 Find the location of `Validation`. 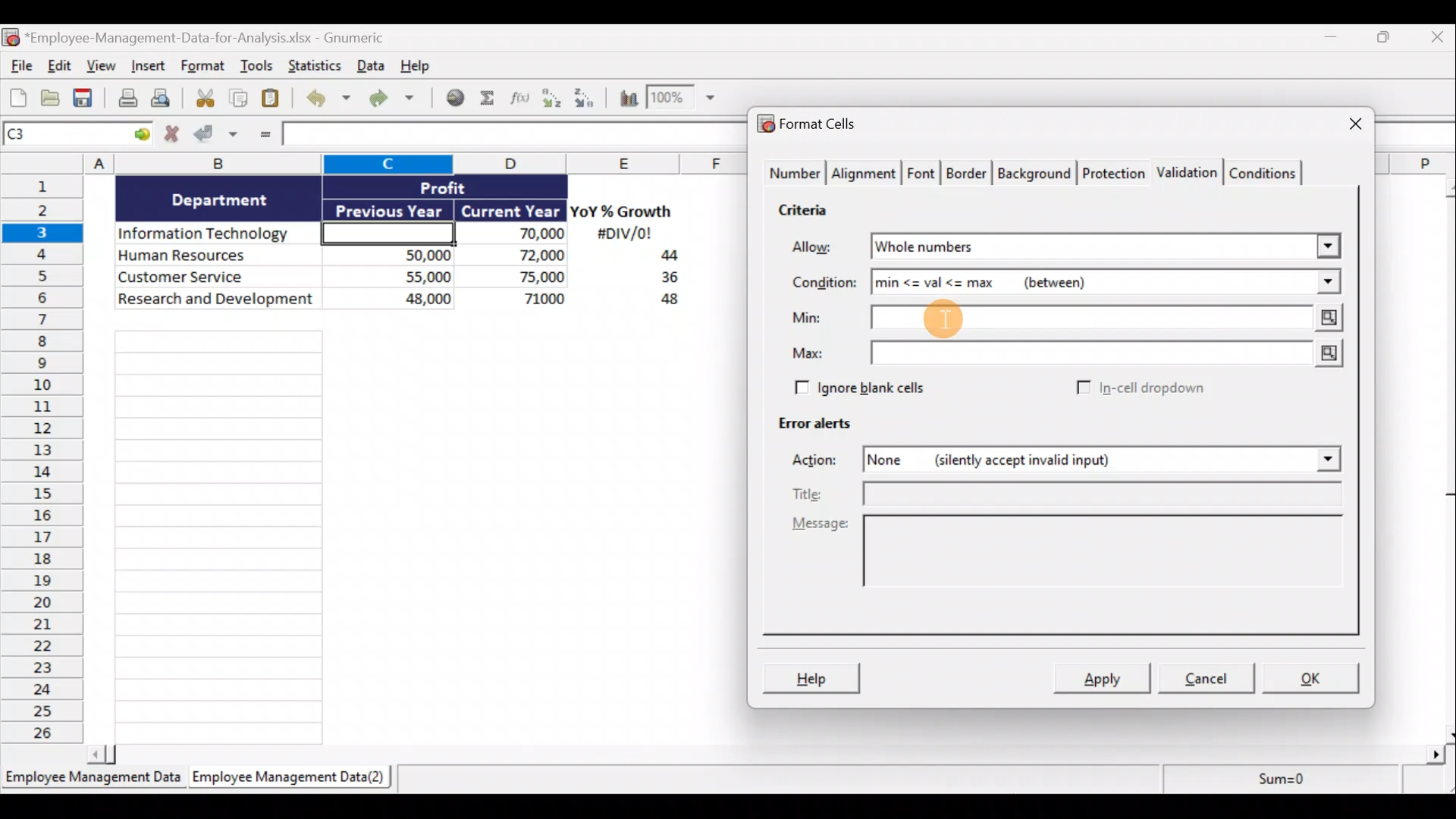

Validation is located at coordinates (1189, 171).